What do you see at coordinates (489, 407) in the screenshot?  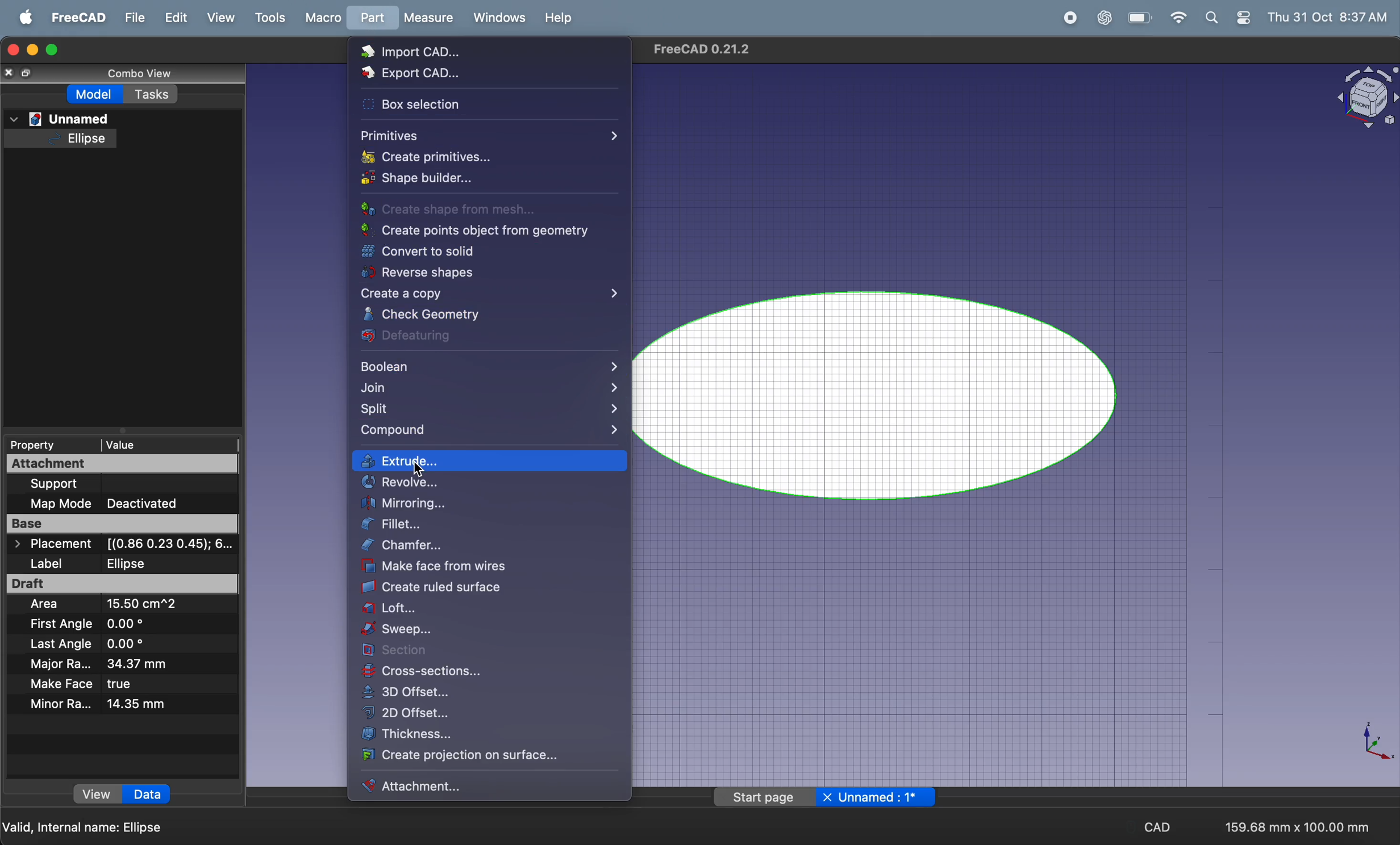 I see `split` at bounding box center [489, 407].